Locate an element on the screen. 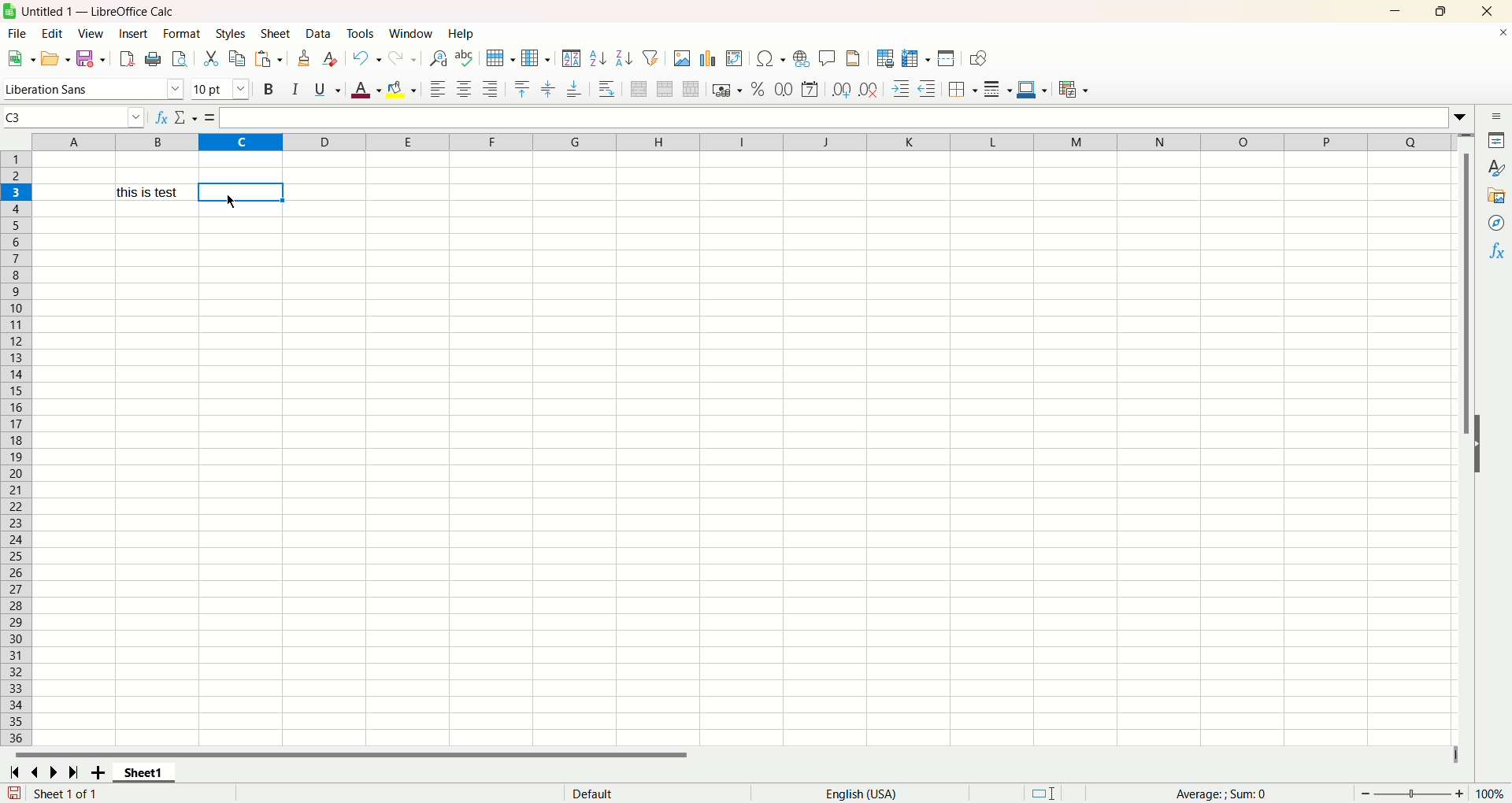 Image resolution: width=1512 pixels, height=803 pixels. font name is located at coordinates (94, 87).